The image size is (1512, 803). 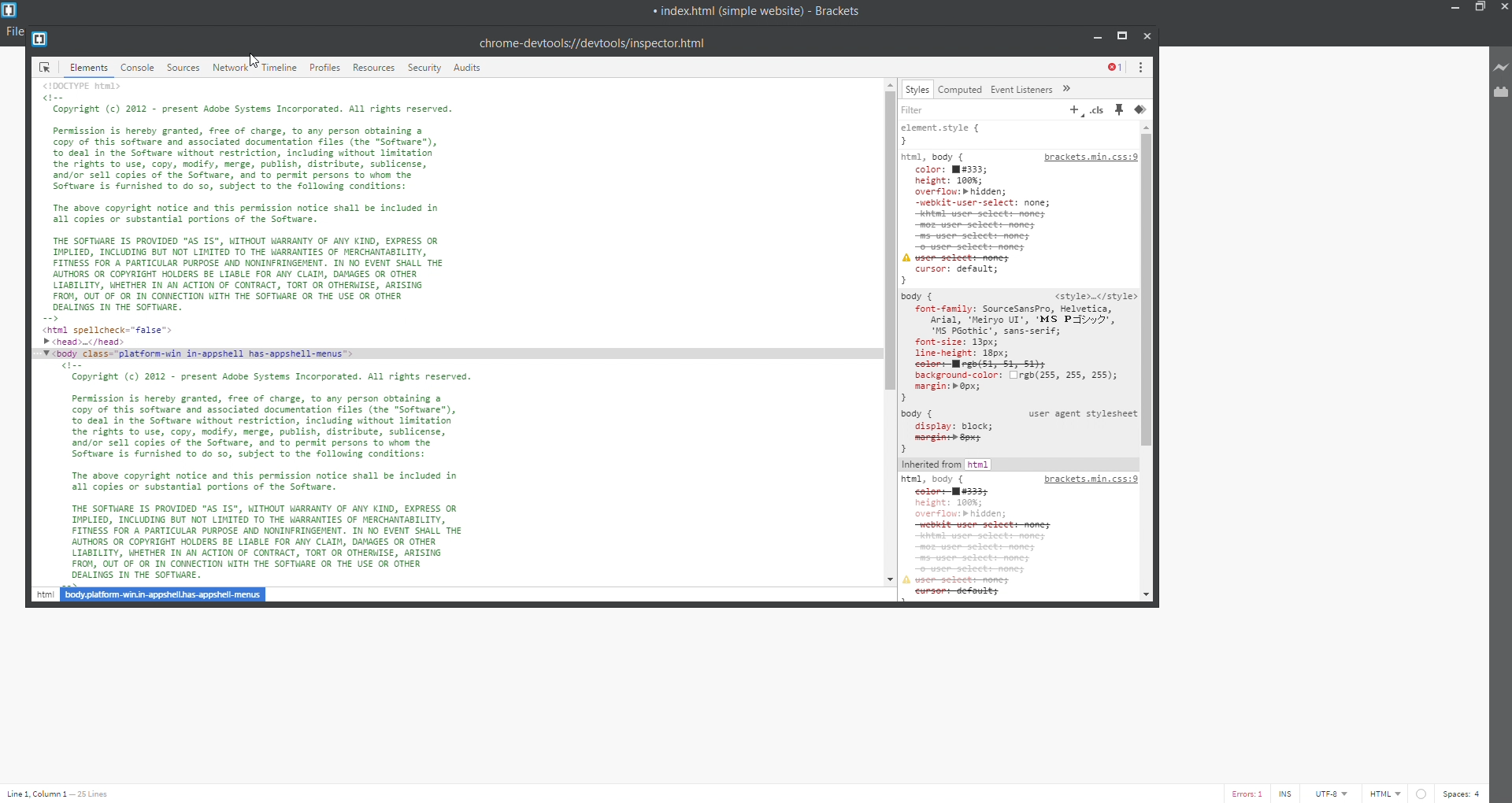 What do you see at coordinates (1140, 109) in the screenshot?
I see `icon` at bounding box center [1140, 109].